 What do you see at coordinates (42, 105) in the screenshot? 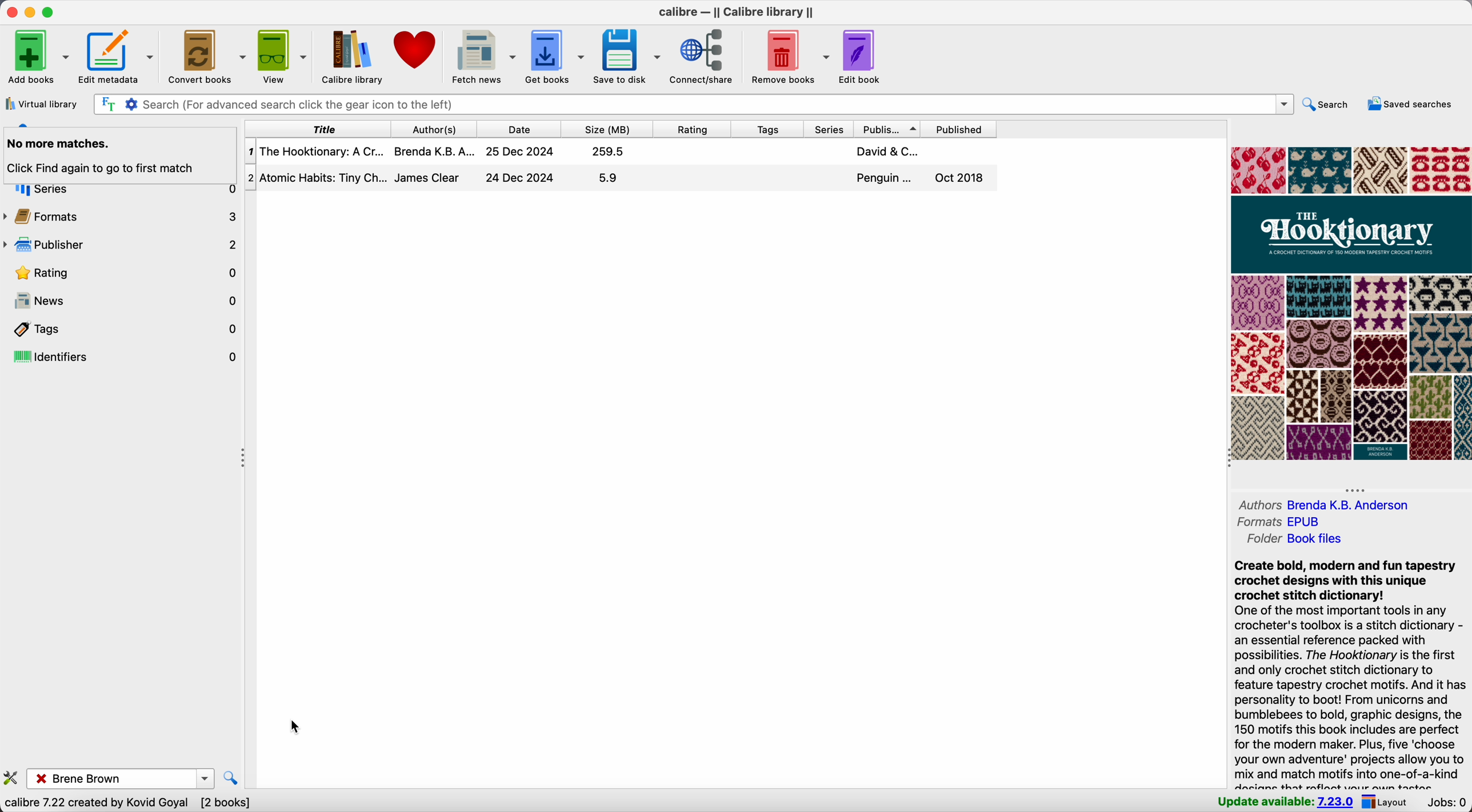
I see `virtual library` at bounding box center [42, 105].